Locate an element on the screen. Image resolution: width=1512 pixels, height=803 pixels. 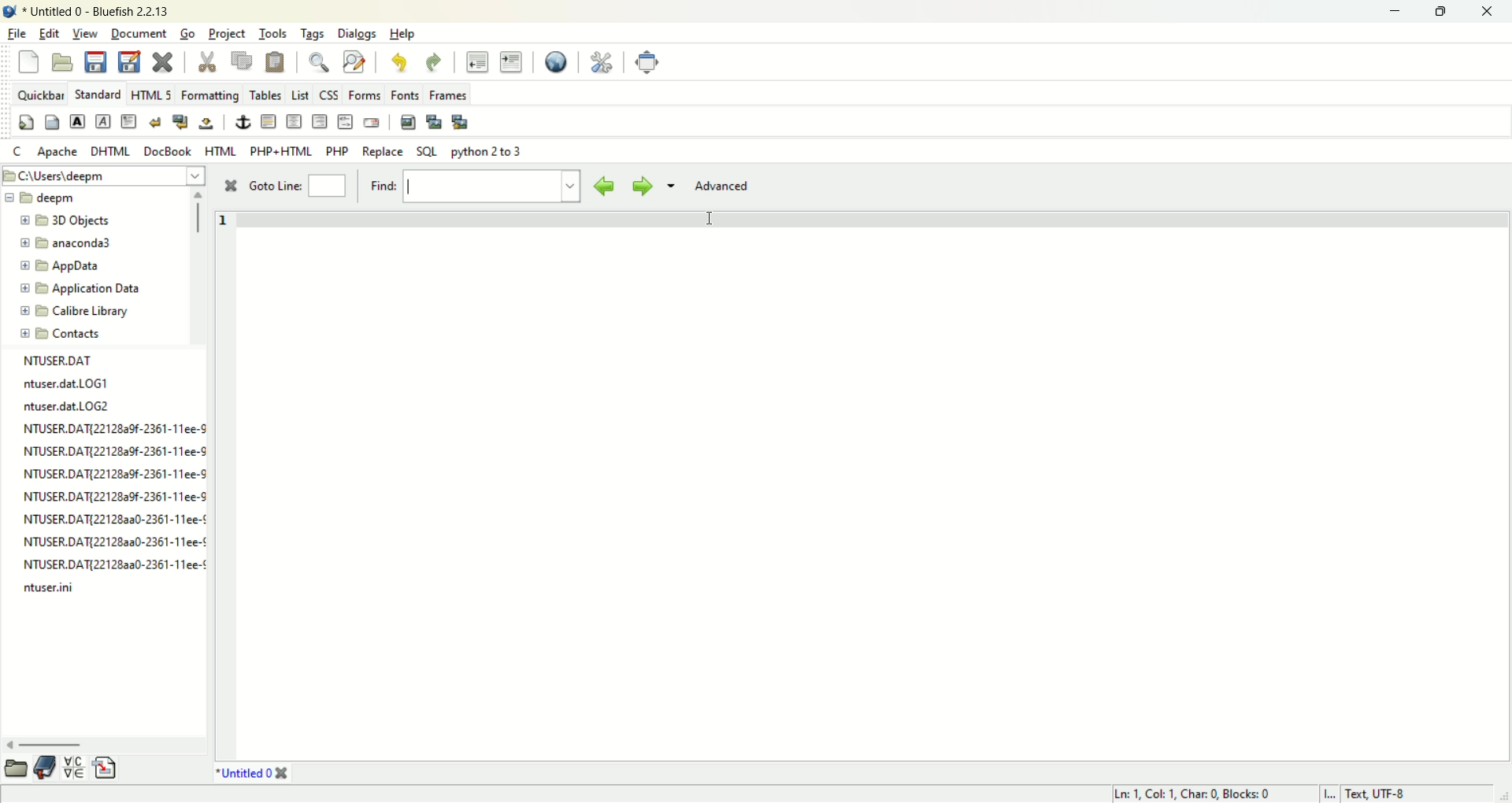
preview in browser is located at coordinates (557, 61).